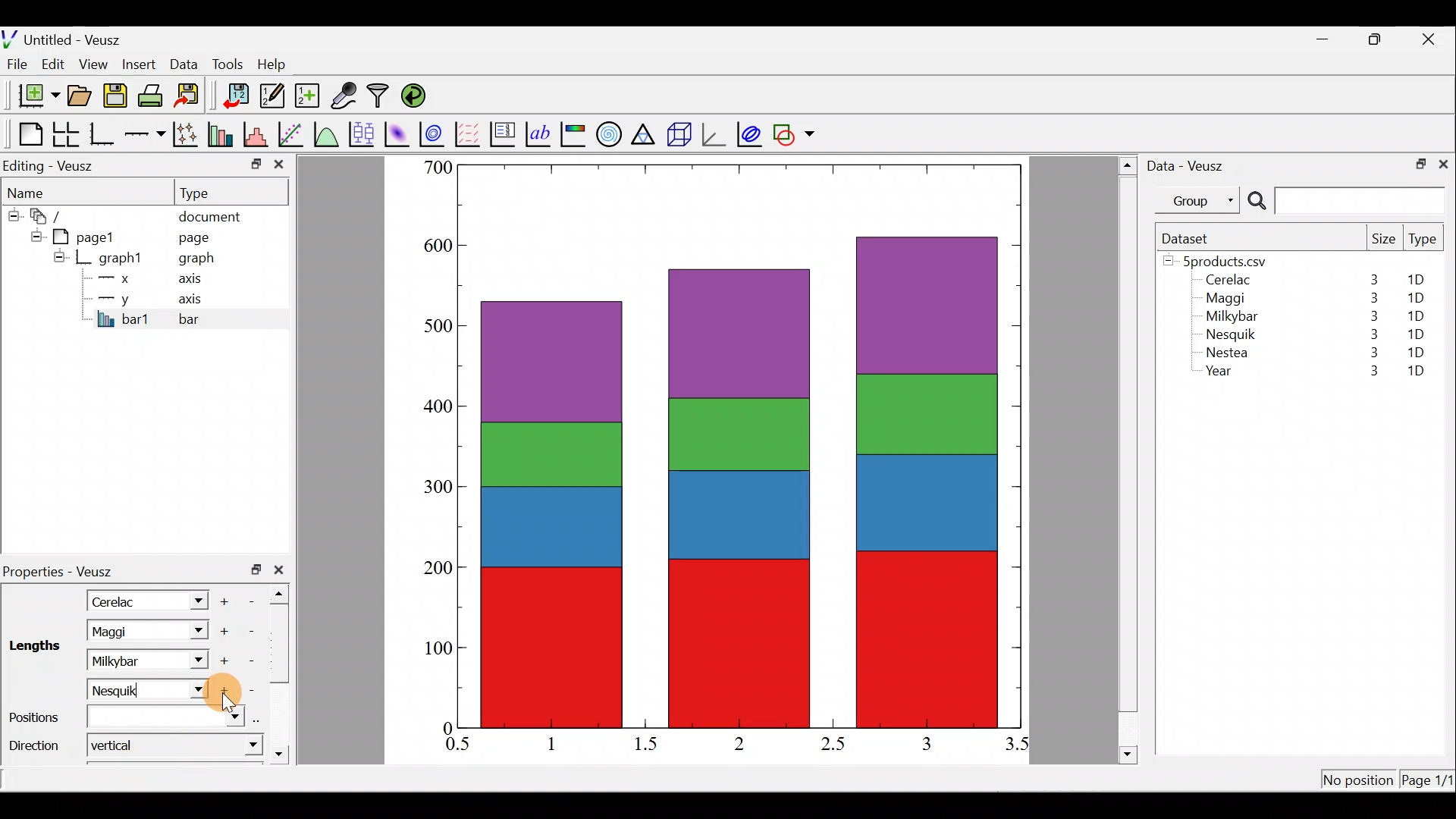 The width and height of the screenshot is (1456, 819). I want to click on Untitled - Veusz, so click(67, 37).